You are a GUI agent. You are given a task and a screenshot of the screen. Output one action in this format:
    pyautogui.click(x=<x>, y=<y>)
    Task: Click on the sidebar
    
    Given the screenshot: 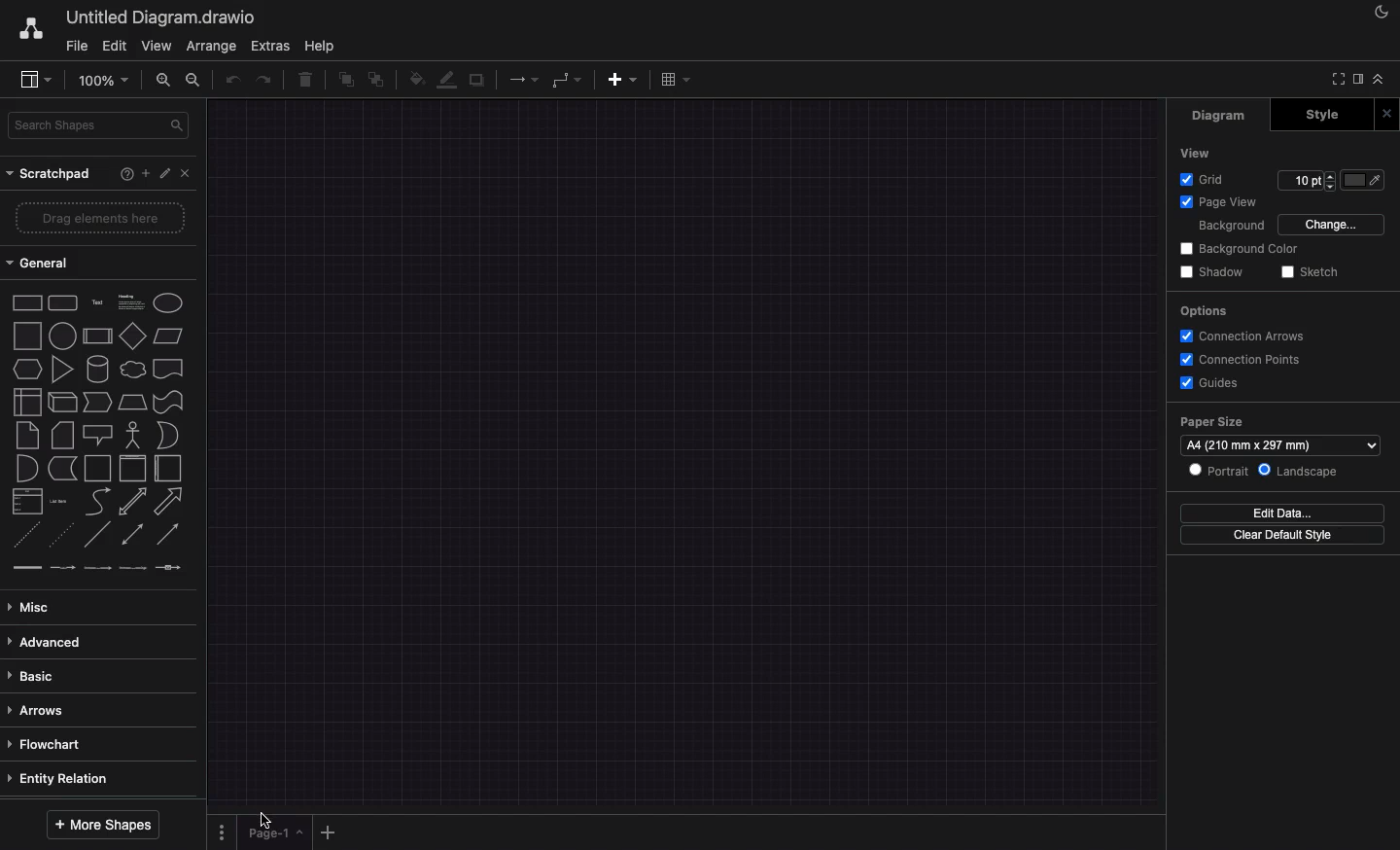 What is the action you would take?
    pyautogui.click(x=35, y=81)
    